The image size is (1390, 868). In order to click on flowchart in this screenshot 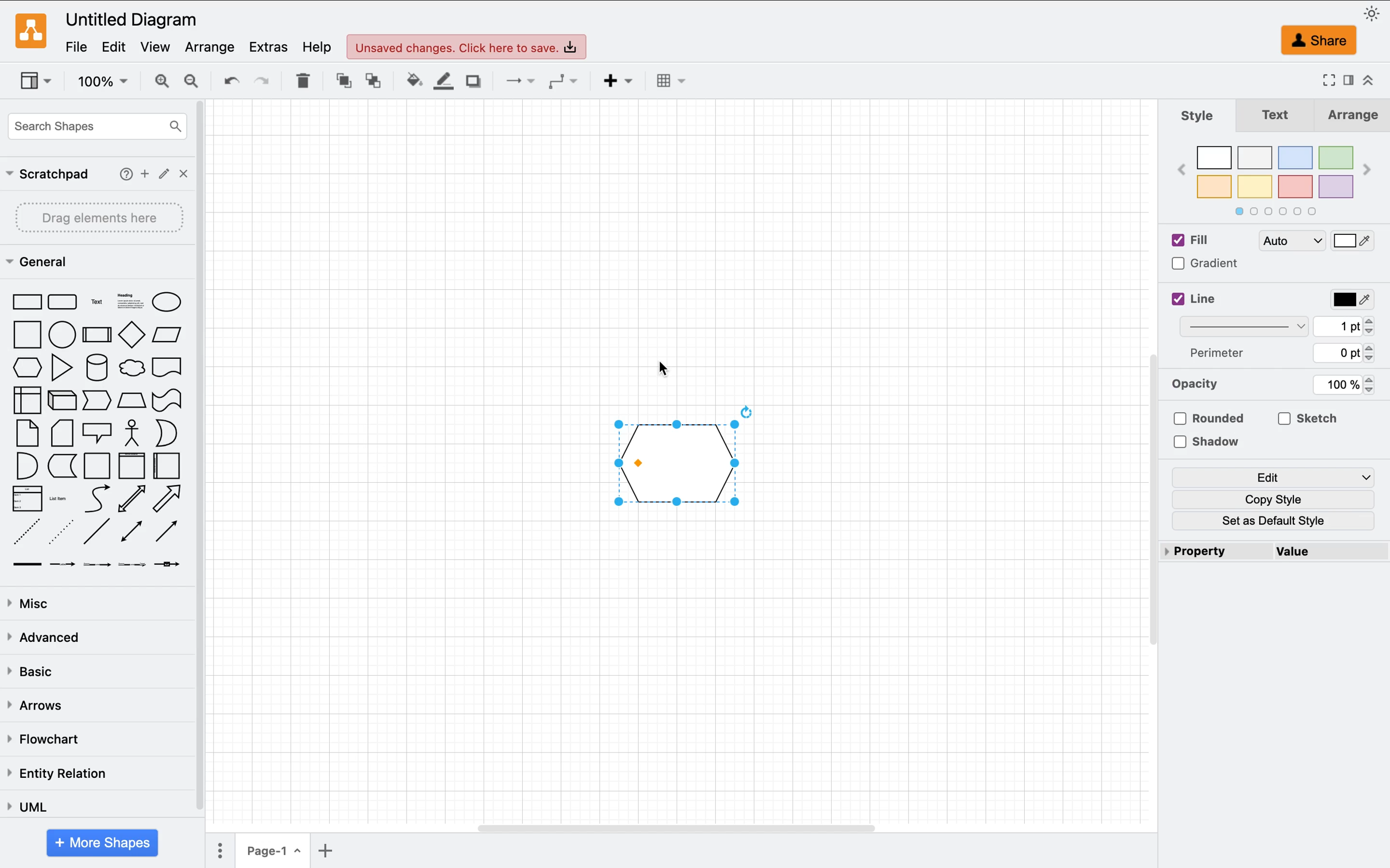, I will do `click(41, 737)`.